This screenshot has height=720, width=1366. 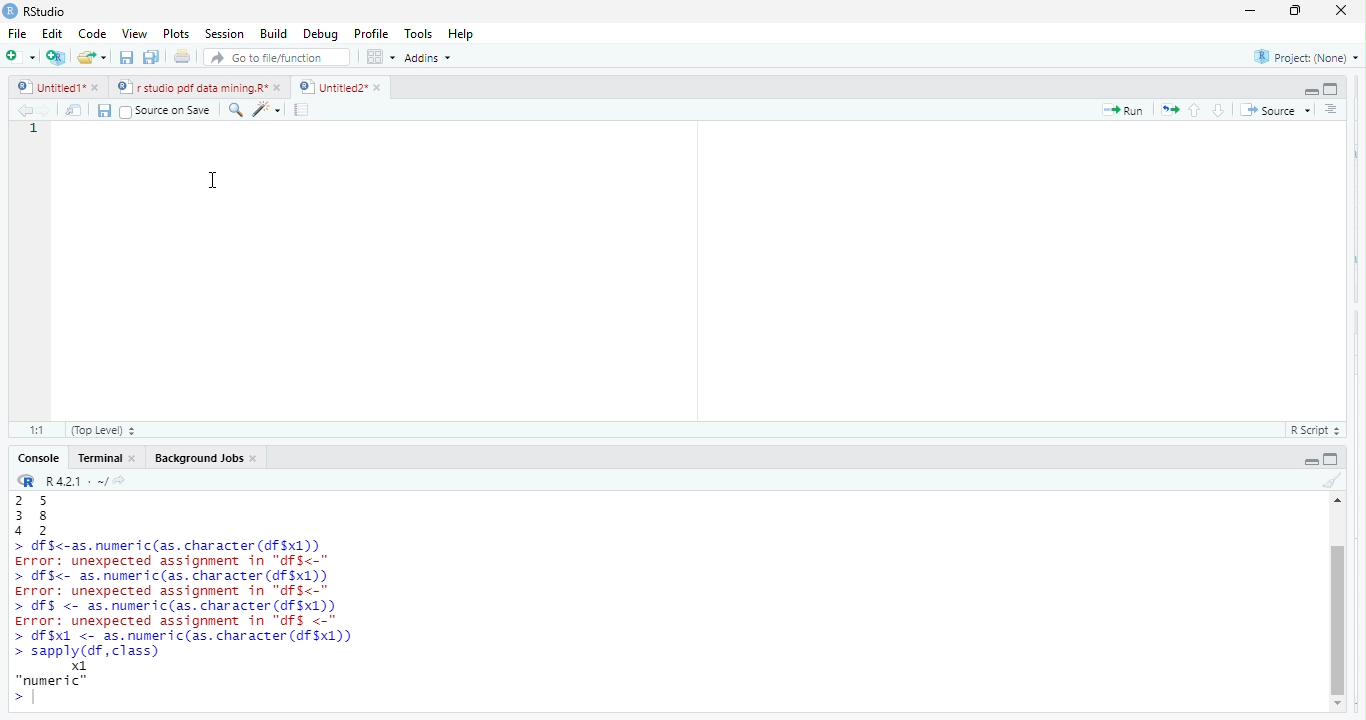 I want to click on R421: ~/, so click(x=87, y=482).